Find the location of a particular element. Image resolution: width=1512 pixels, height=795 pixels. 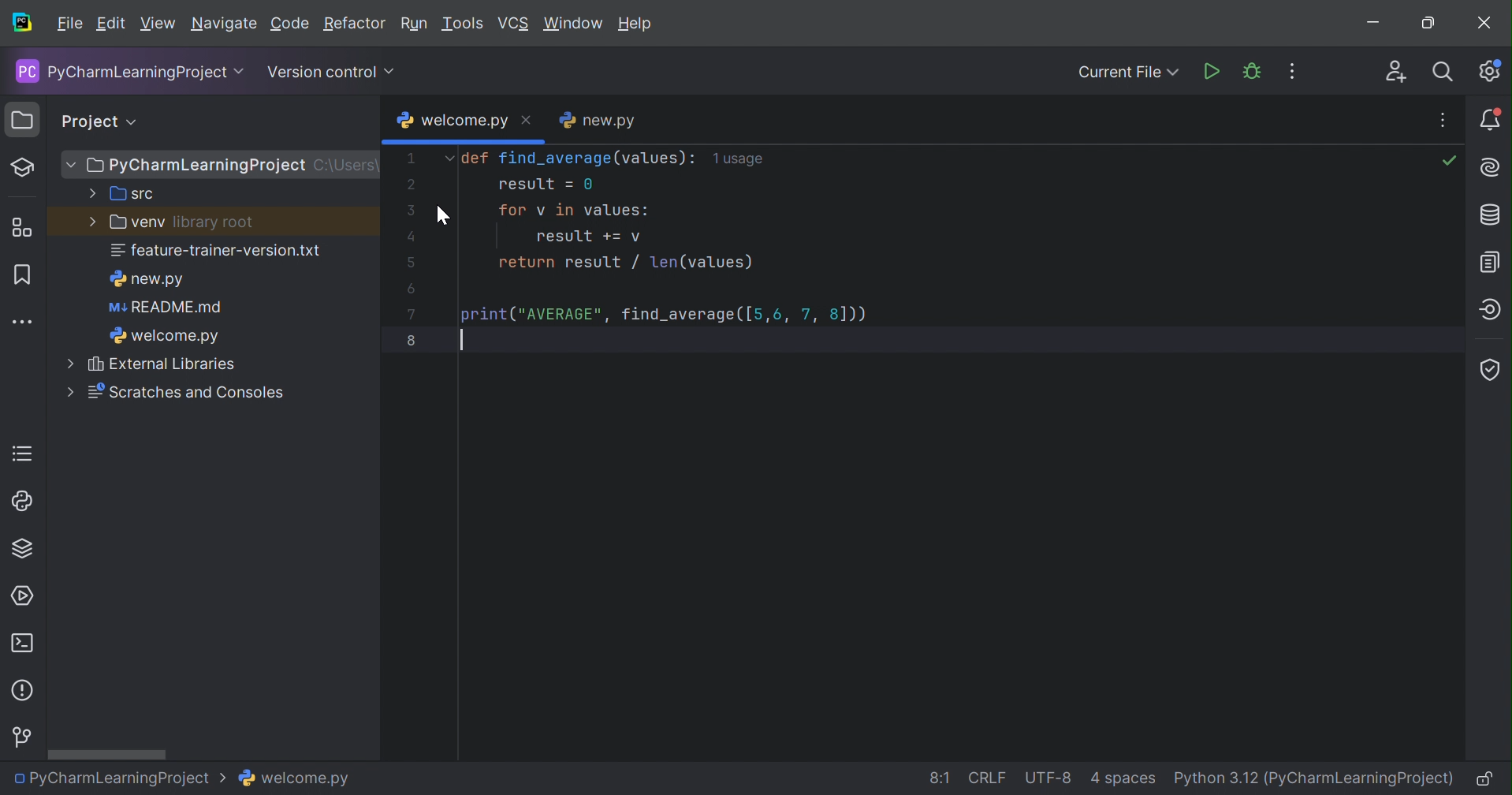

Notifications is located at coordinates (1492, 122).